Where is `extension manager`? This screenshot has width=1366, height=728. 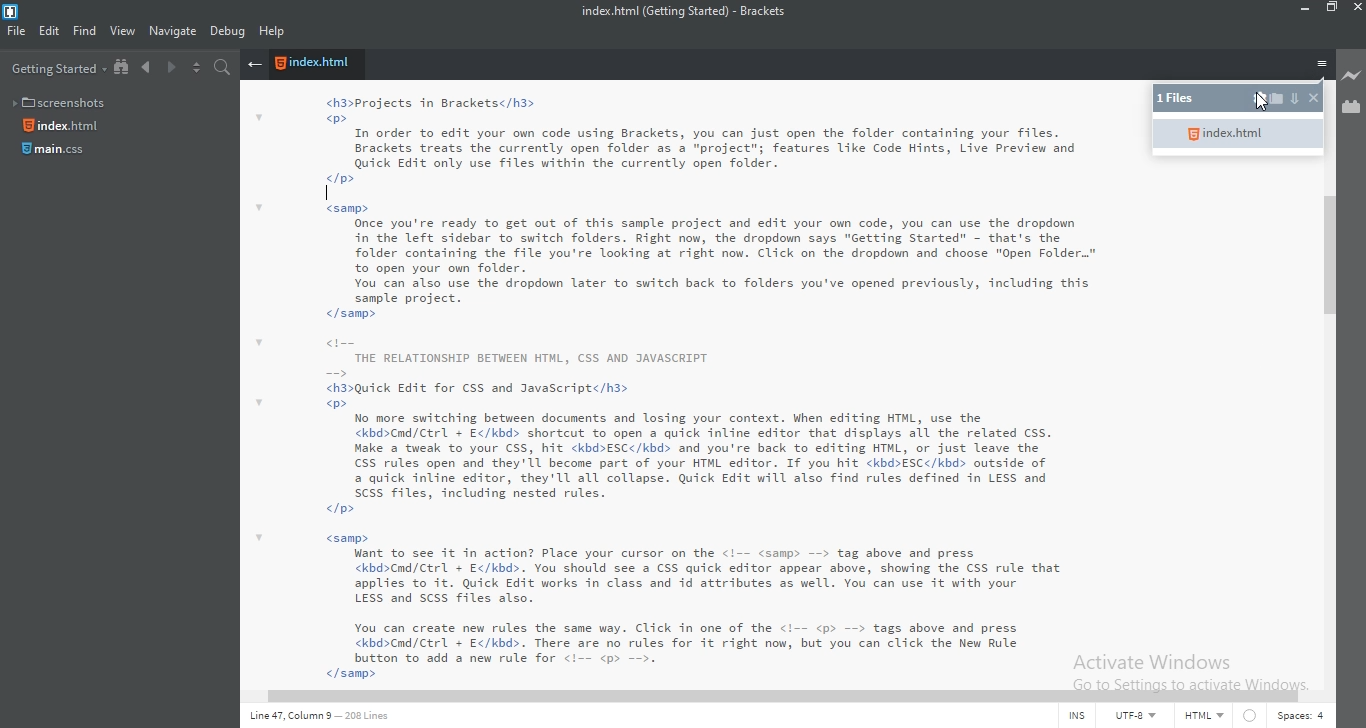 extension manager is located at coordinates (1350, 108).